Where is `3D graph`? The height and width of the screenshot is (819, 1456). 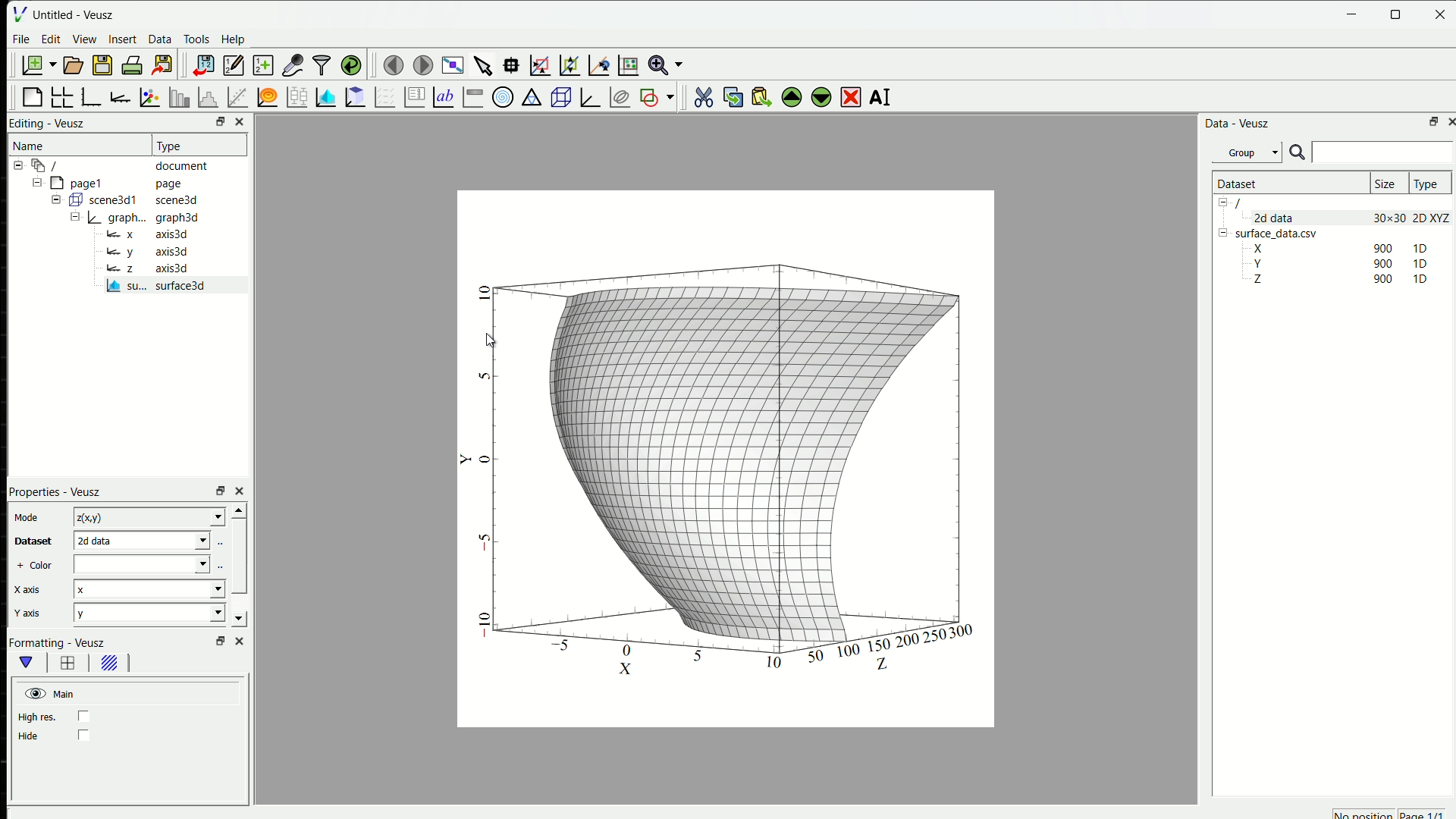 3D graph is located at coordinates (591, 96).